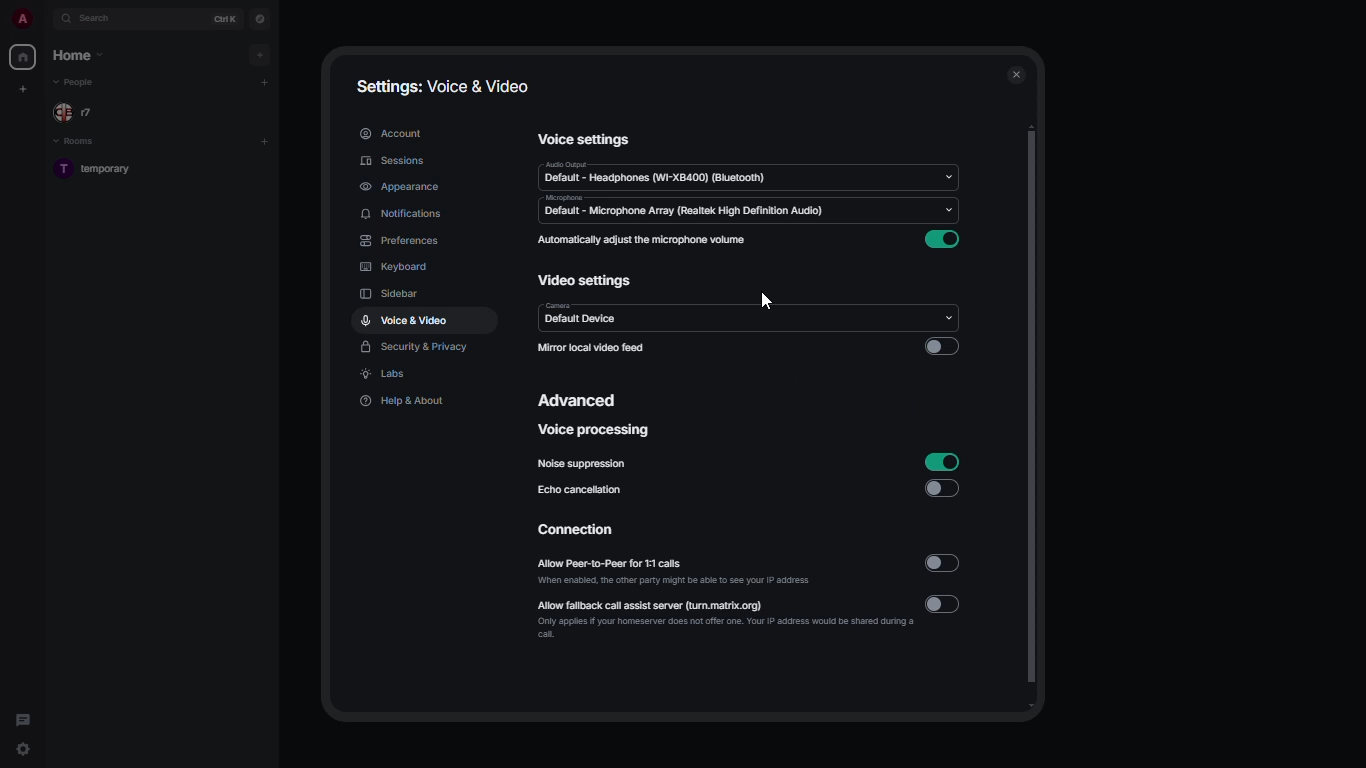 The width and height of the screenshot is (1366, 768). I want to click on voice & video, so click(405, 320).